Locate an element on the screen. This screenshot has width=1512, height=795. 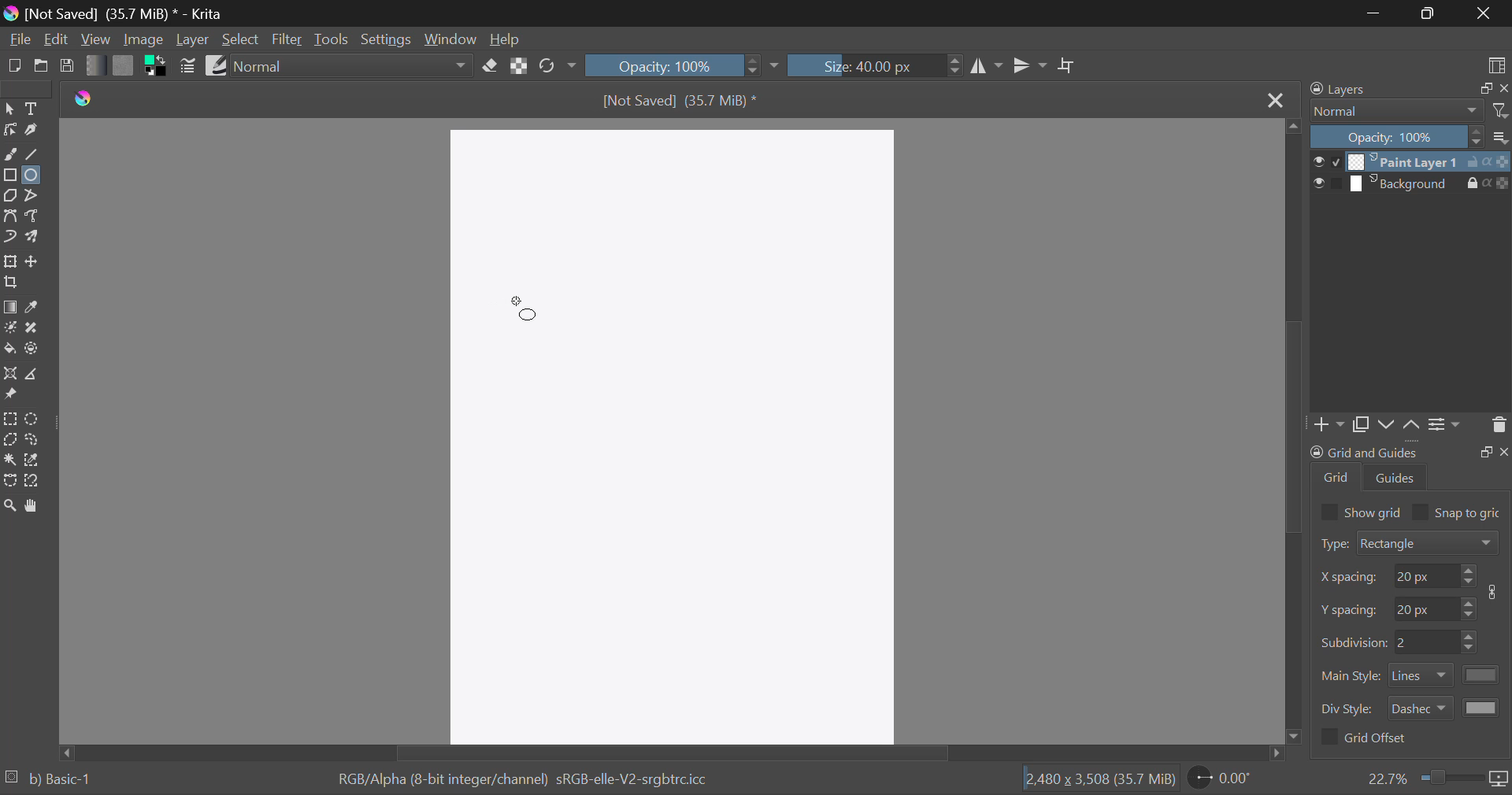
Gradient is located at coordinates (91, 65).